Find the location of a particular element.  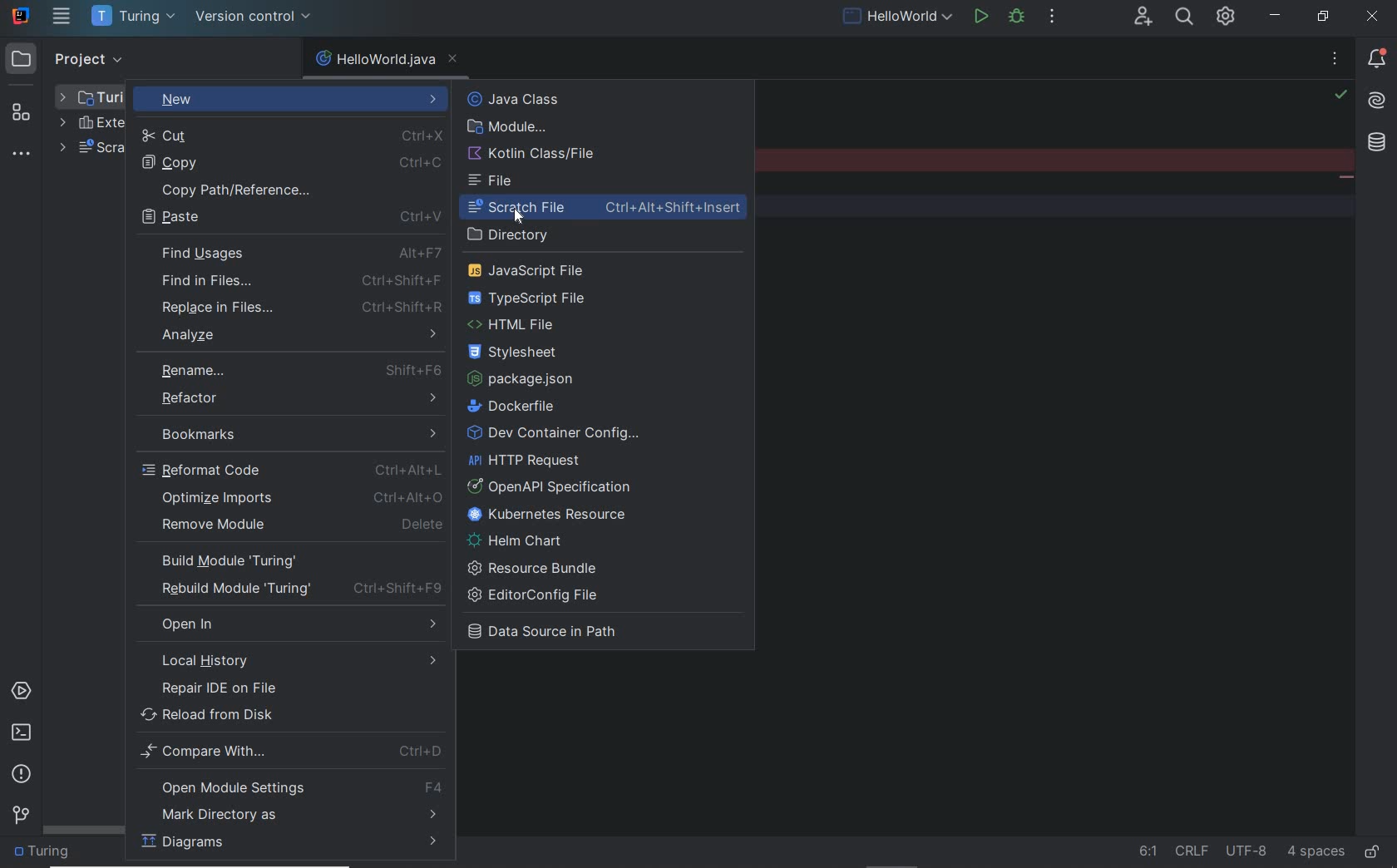

system name is located at coordinates (21, 16).